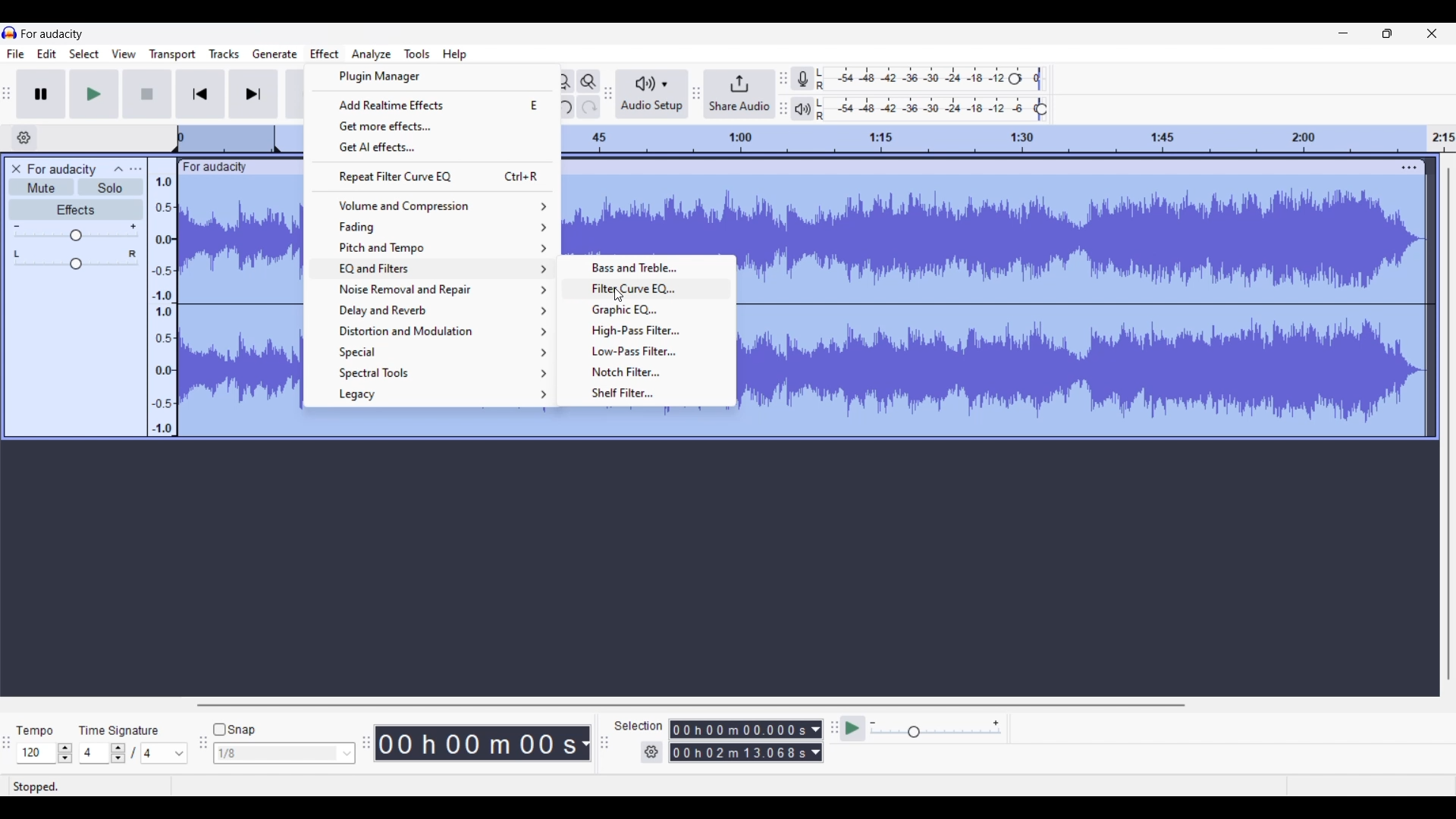 The width and height of the screenshot is (1456, 819). Describe the element at coordinates (161, 297) in the screenshot. I see `Scale to measure audio` at that location.